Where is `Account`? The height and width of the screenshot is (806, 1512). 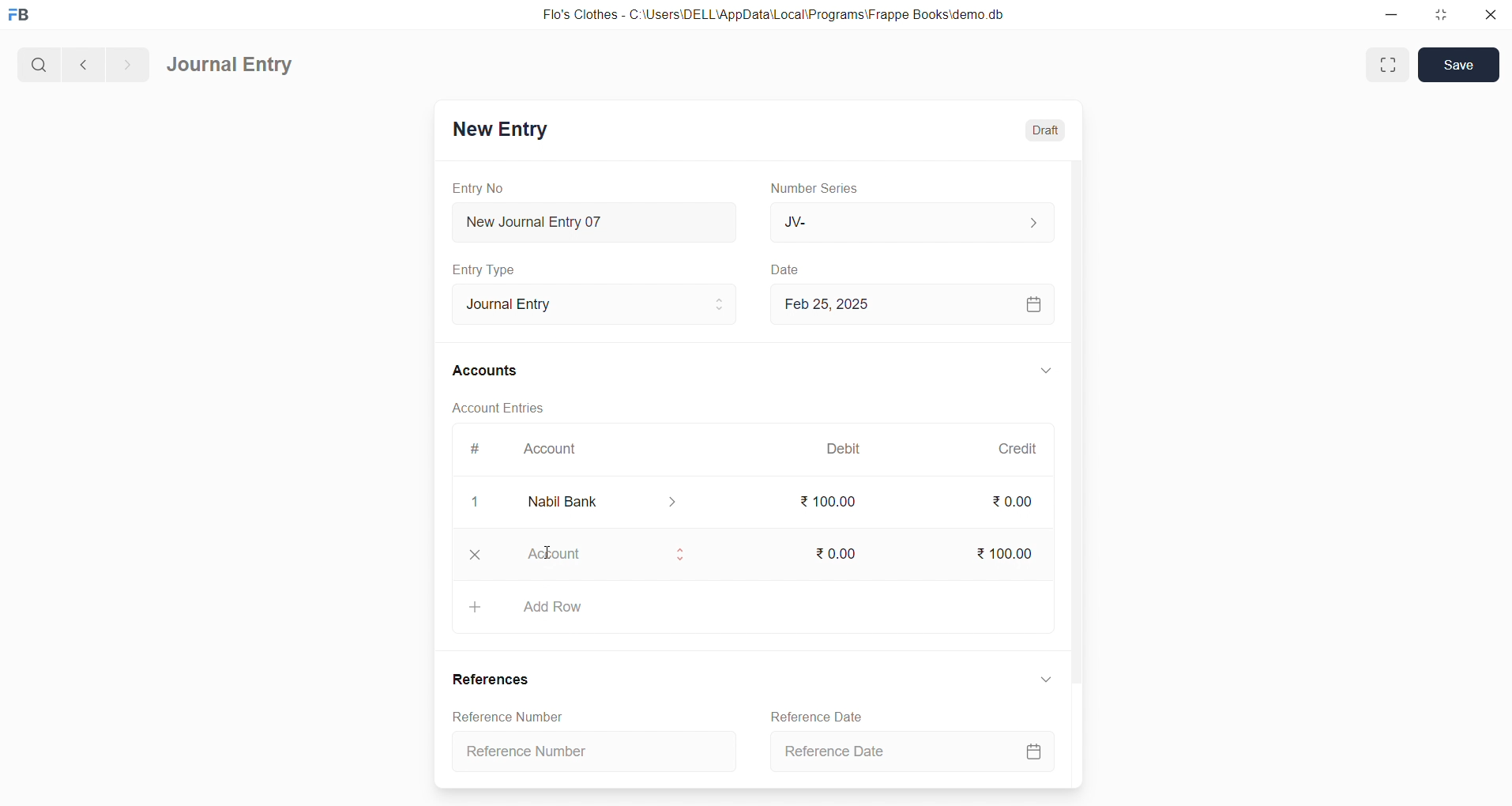
Account is located at coordinates (610, 551).